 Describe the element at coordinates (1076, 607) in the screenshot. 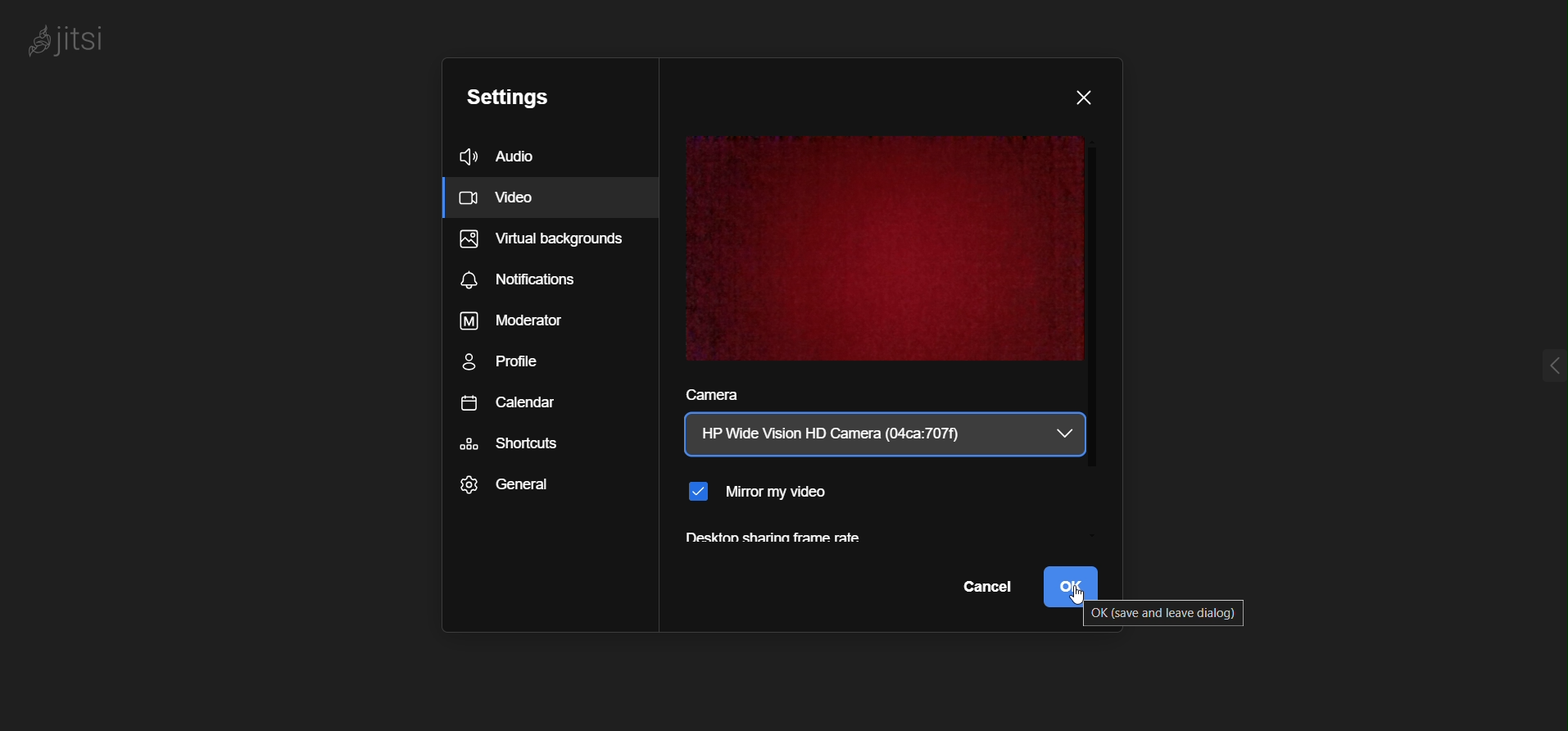

I see `cursor` at that location.